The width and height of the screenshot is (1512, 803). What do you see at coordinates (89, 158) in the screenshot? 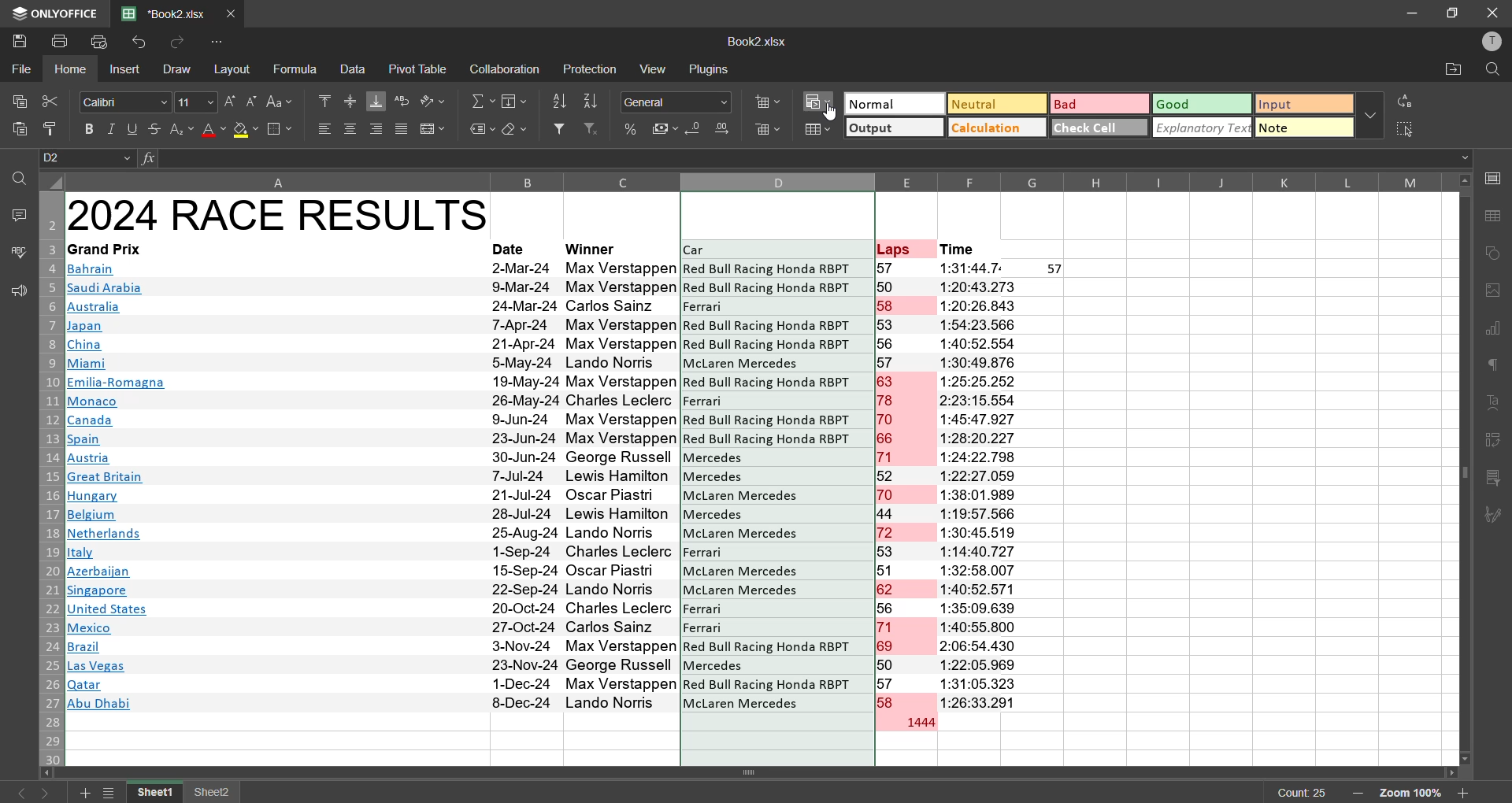
I see `cell address` at bounding box center [89, 158].